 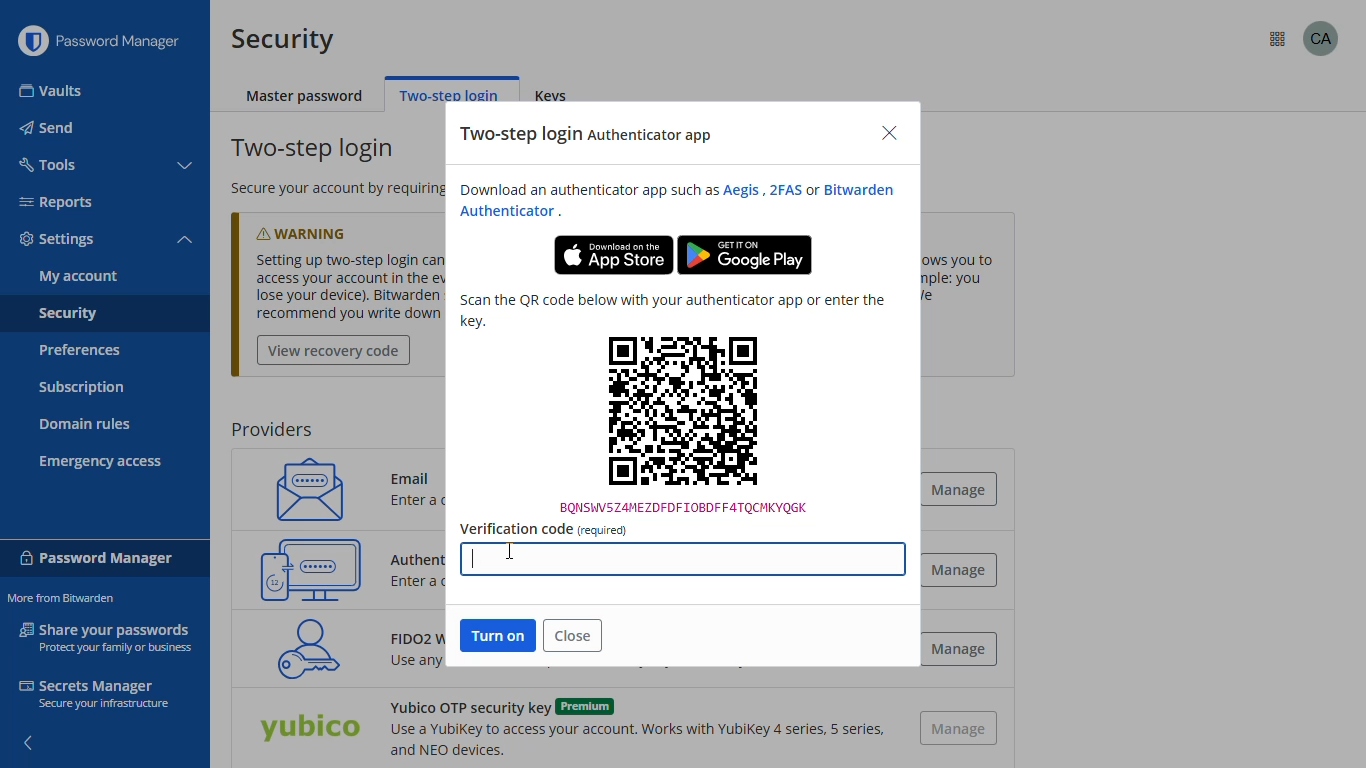 I want to click on QR code, so click(x=684, y=424).